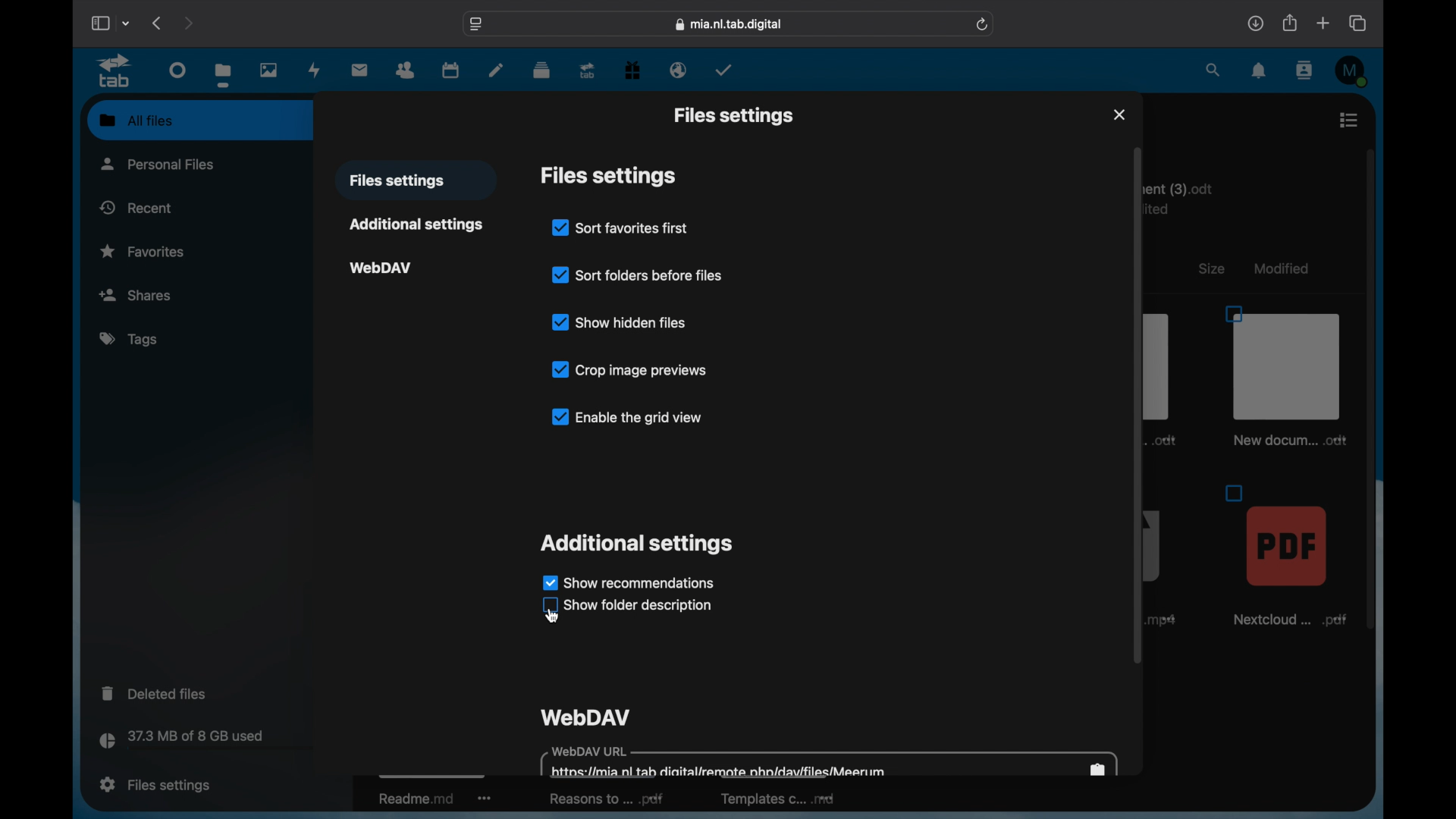  I want to click on shares, so click(199, 293).